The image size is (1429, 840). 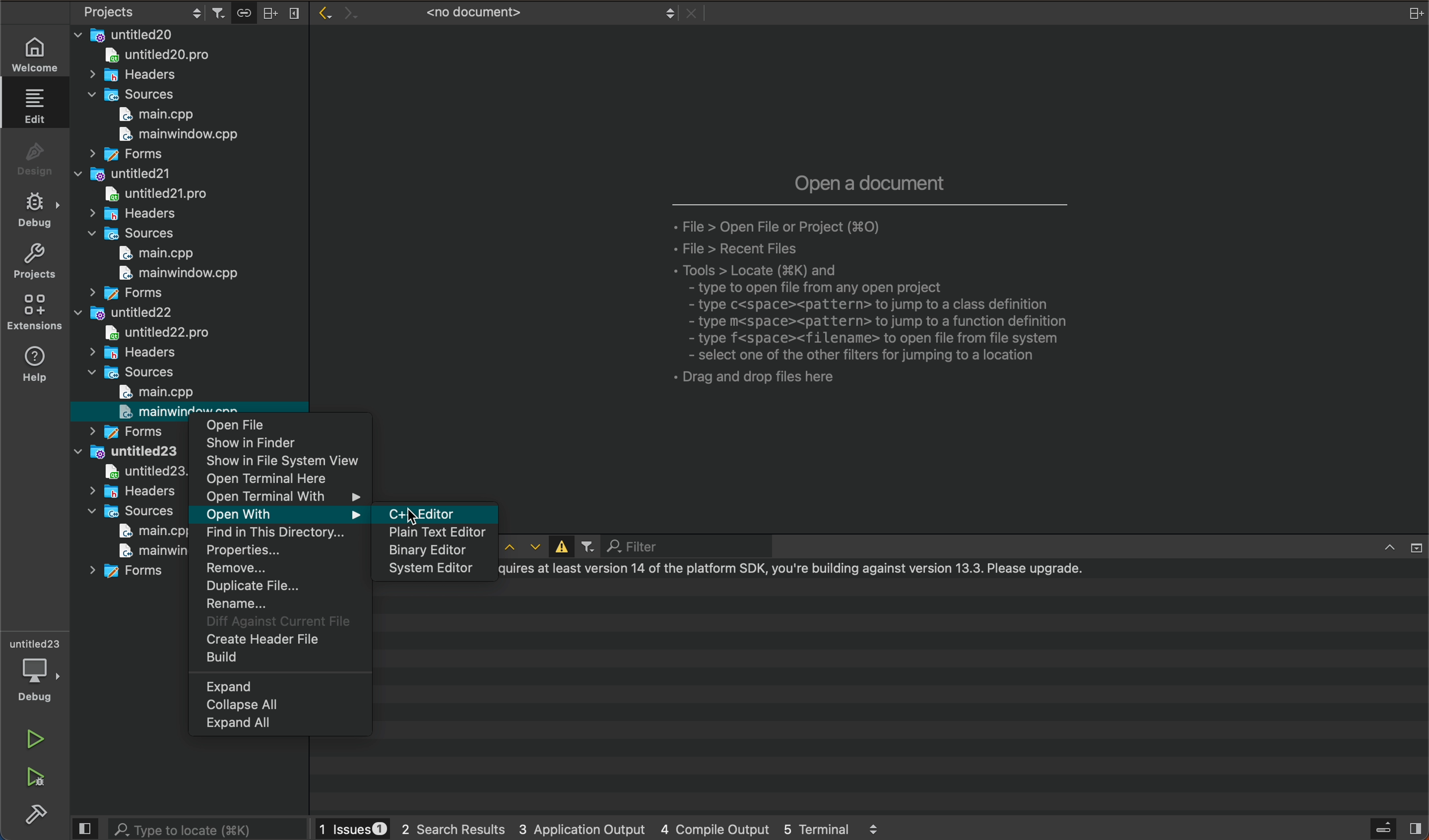 I want to click on open terminal, so click(x=284, y=480).